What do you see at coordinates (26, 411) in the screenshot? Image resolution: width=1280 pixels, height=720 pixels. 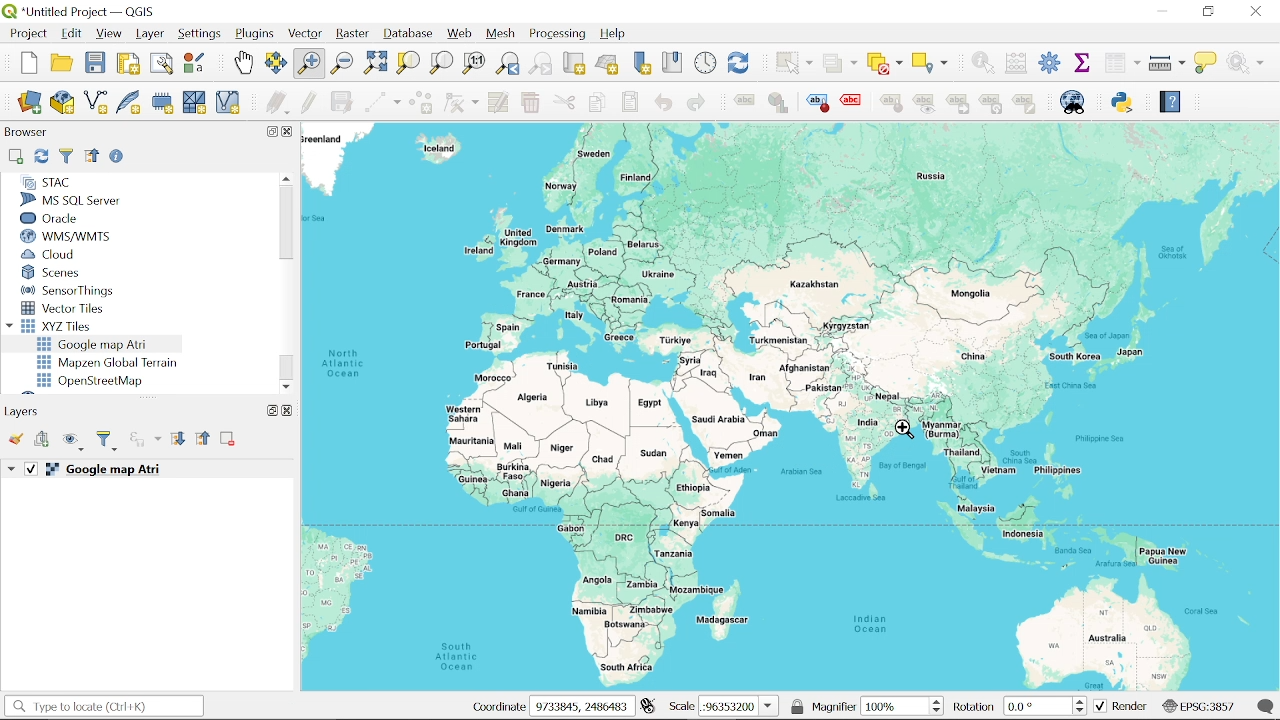 I see `Layers` at bounding box center [26, 411].